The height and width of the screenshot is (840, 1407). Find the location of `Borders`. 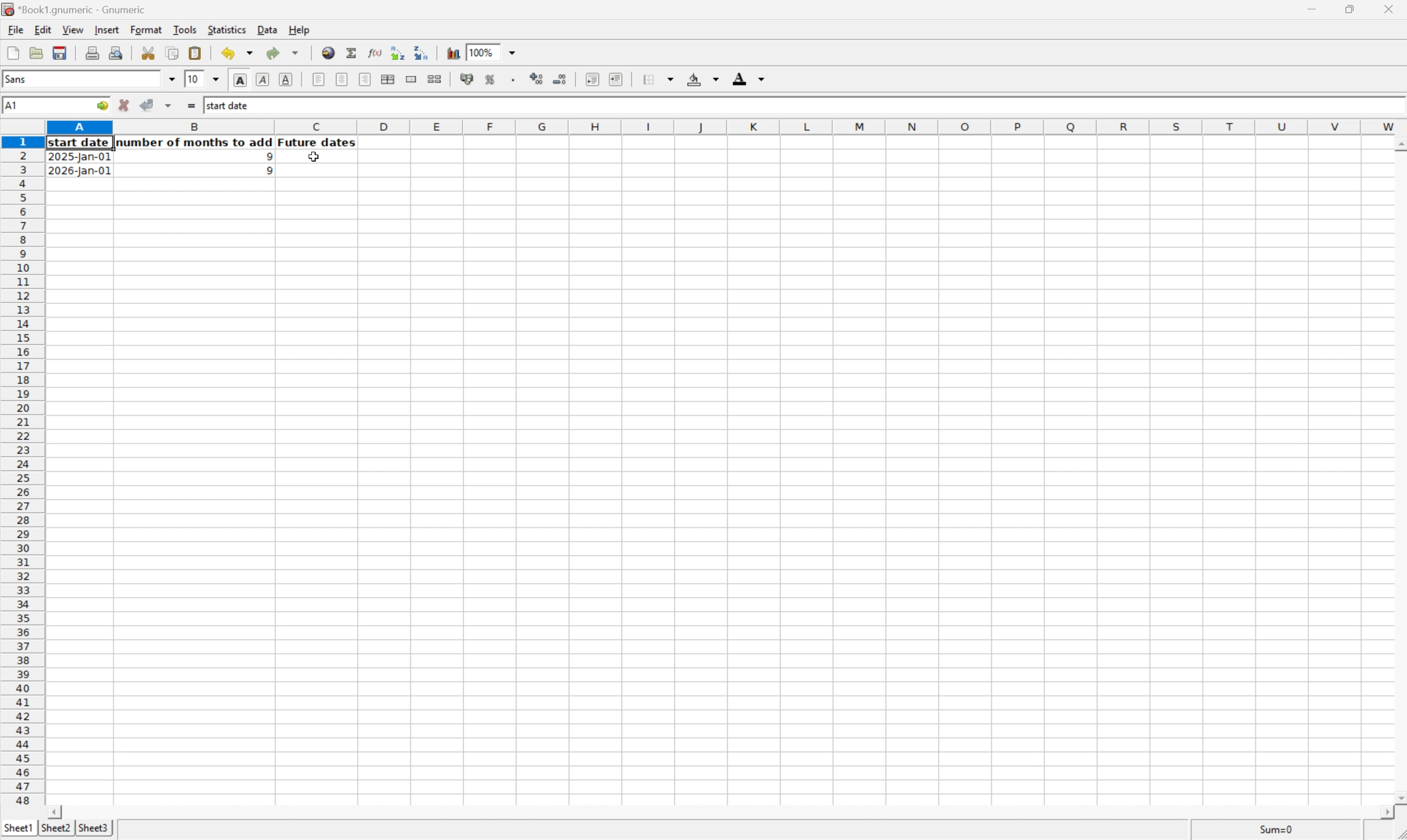

Borders is located at coordinates (656, 79).